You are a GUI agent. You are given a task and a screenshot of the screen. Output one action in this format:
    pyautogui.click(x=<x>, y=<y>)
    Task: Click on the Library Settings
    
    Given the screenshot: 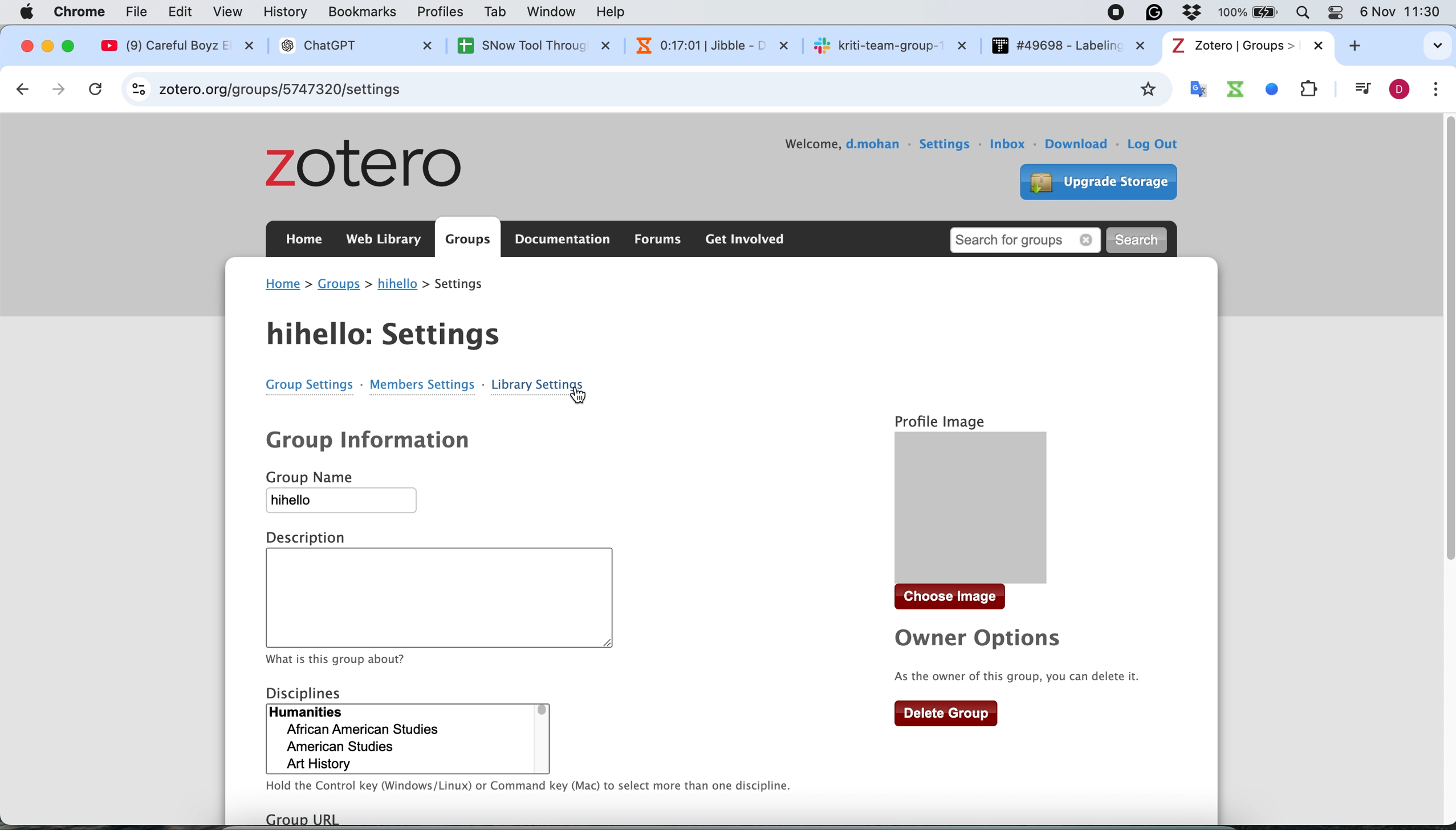 What is the action you would take?
    pyautogui.click(x=540, y=379)
    